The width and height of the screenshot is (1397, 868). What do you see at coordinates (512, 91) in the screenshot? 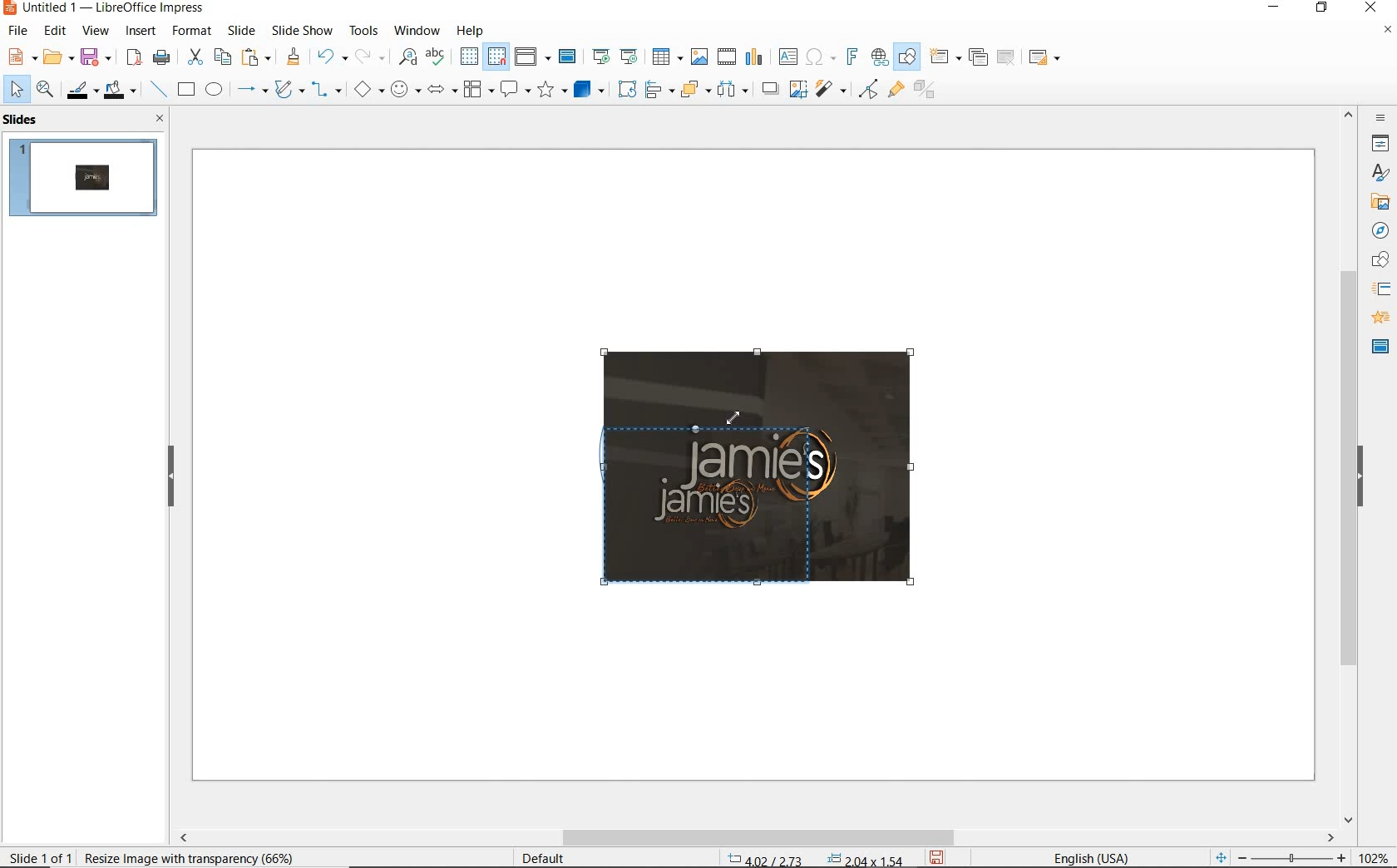
I see `callout shapes` at bounding box center [512, 91].